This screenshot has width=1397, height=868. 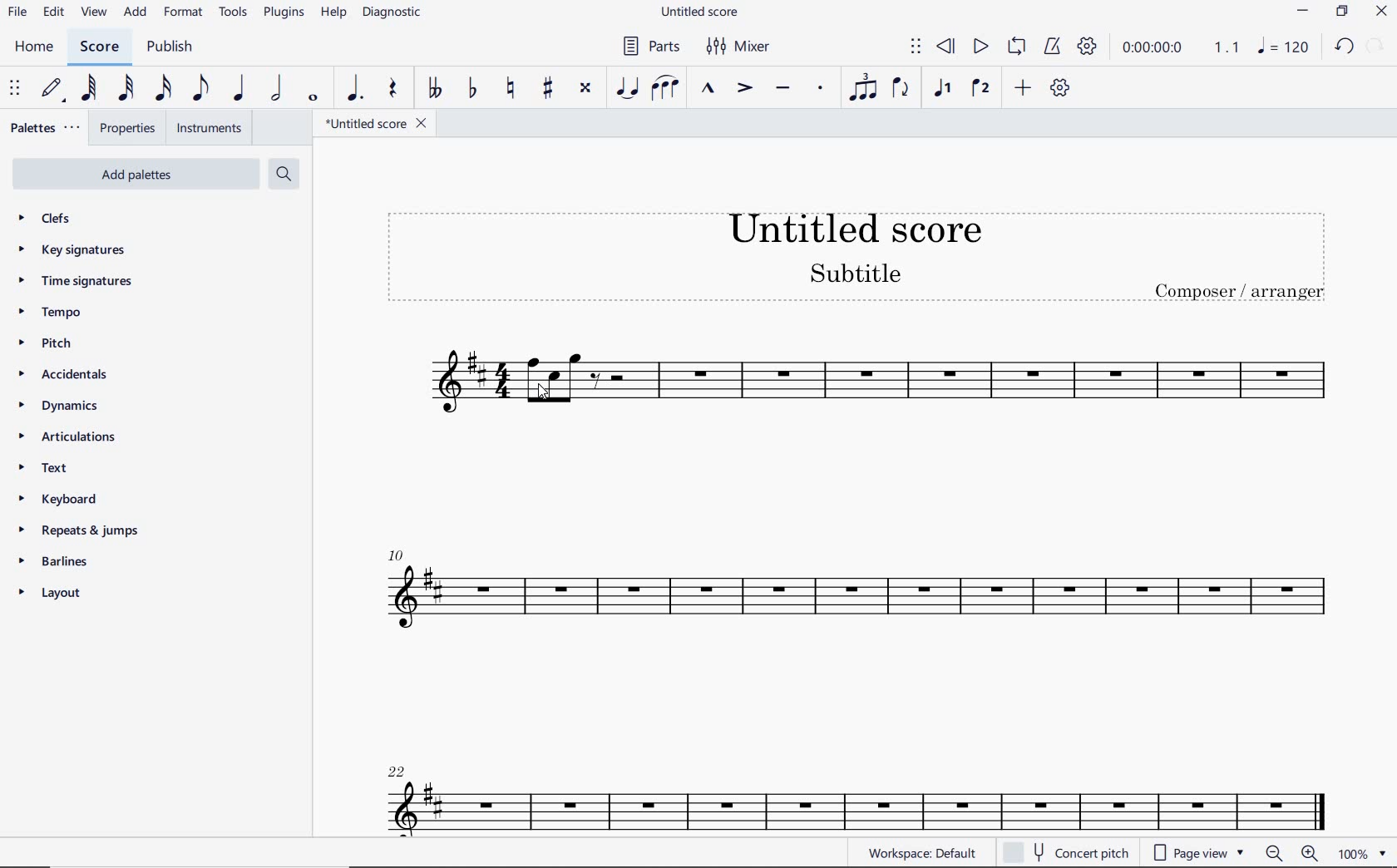 I want to click on MARCATO, so click(x=708, y=91).